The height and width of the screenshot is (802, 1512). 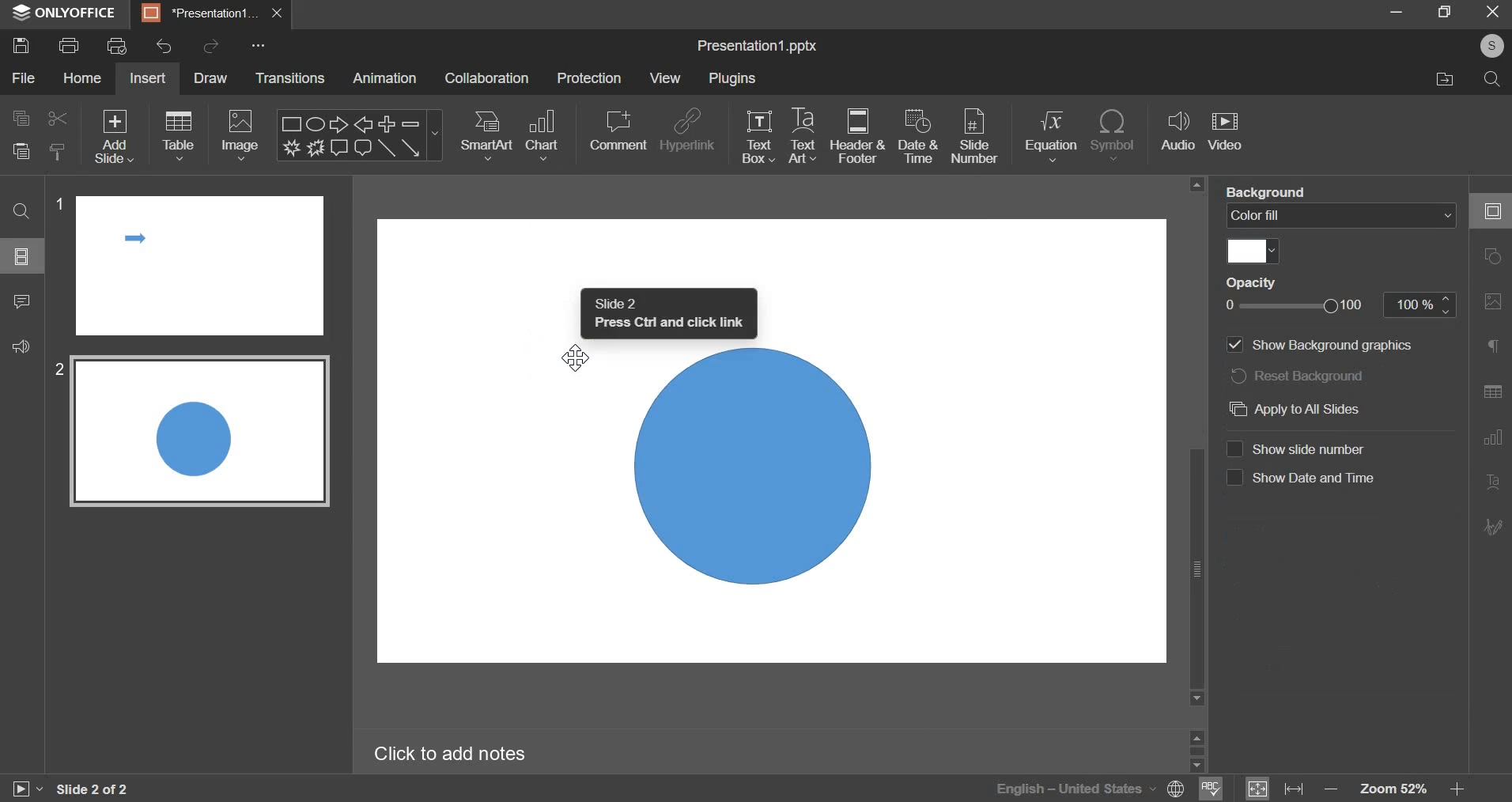 What do you see at coordinates (1457, 788) in the screenshot?
I see `increase zoom` at bounding box center [1457, 788].